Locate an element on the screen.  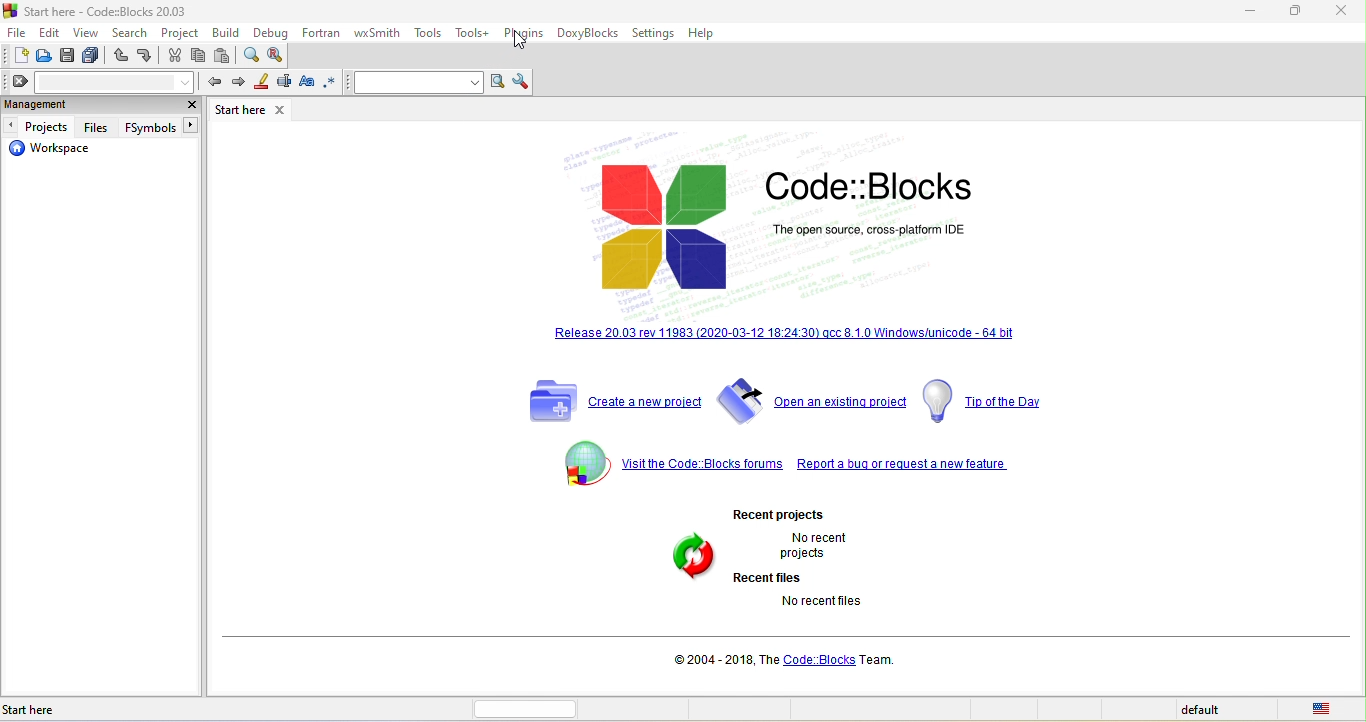
debug is located at coordinates (273, 31).